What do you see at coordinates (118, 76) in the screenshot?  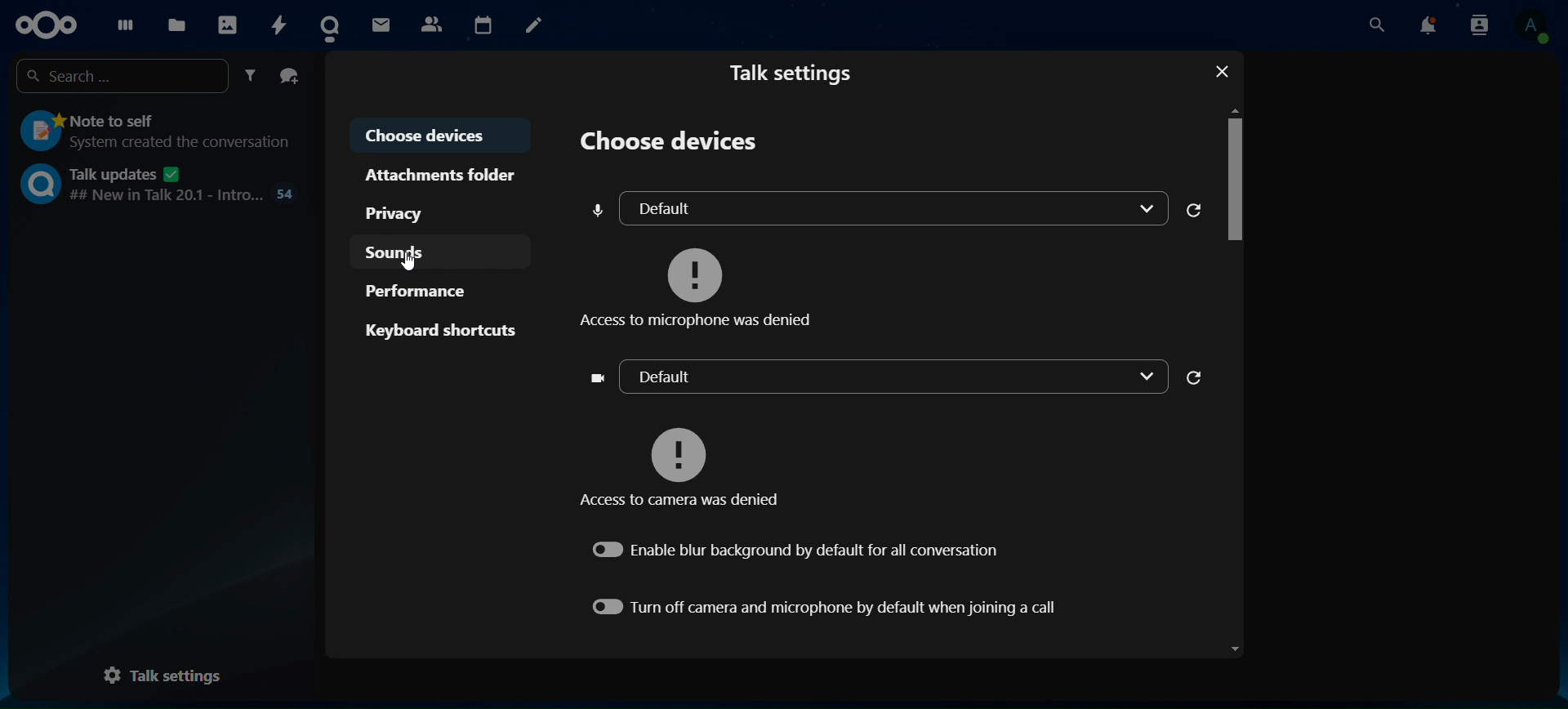 I see `search ...` at bounding box center [118, 76].